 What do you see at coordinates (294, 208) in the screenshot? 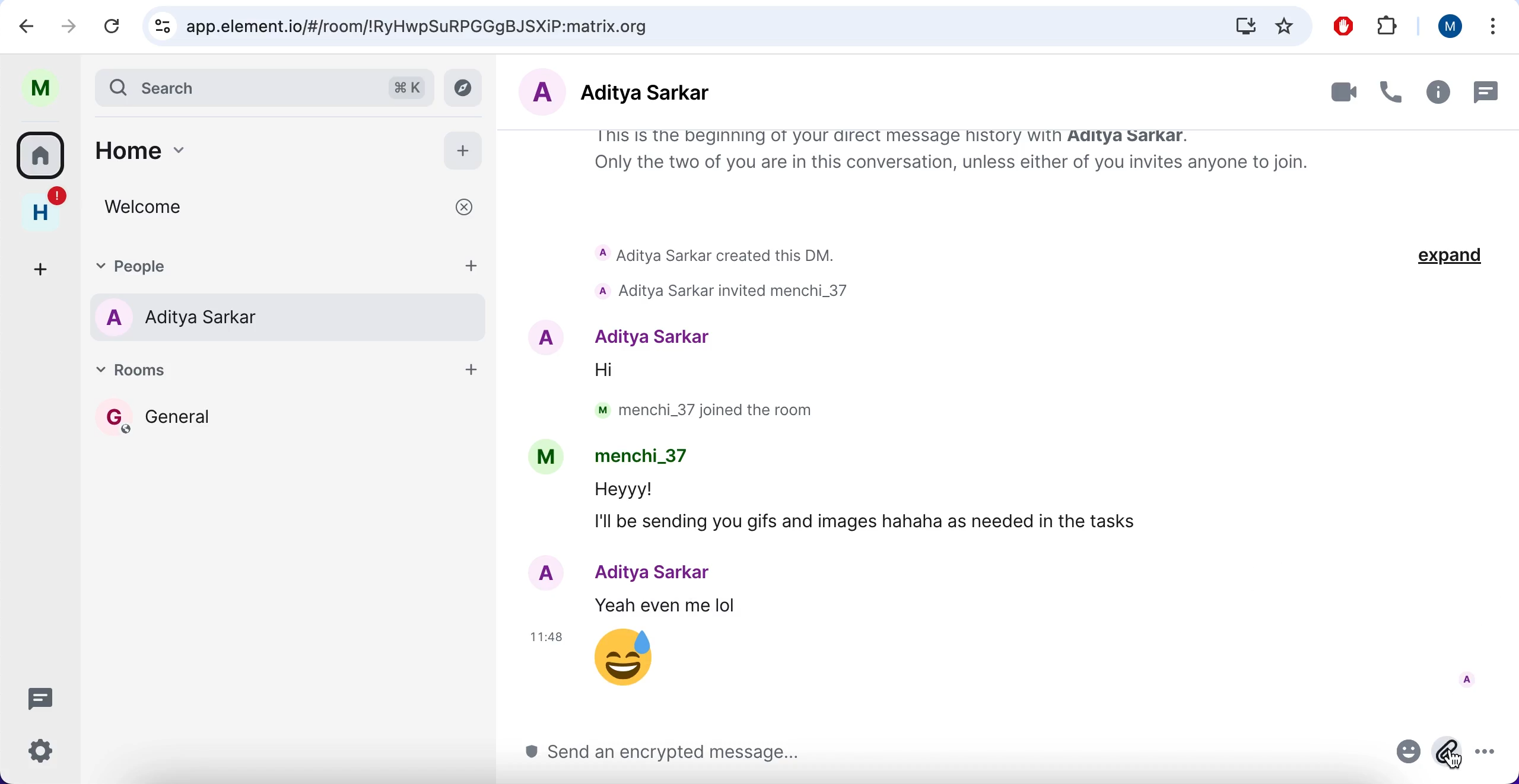
I see `welcome` at bounding box center [294, 208].